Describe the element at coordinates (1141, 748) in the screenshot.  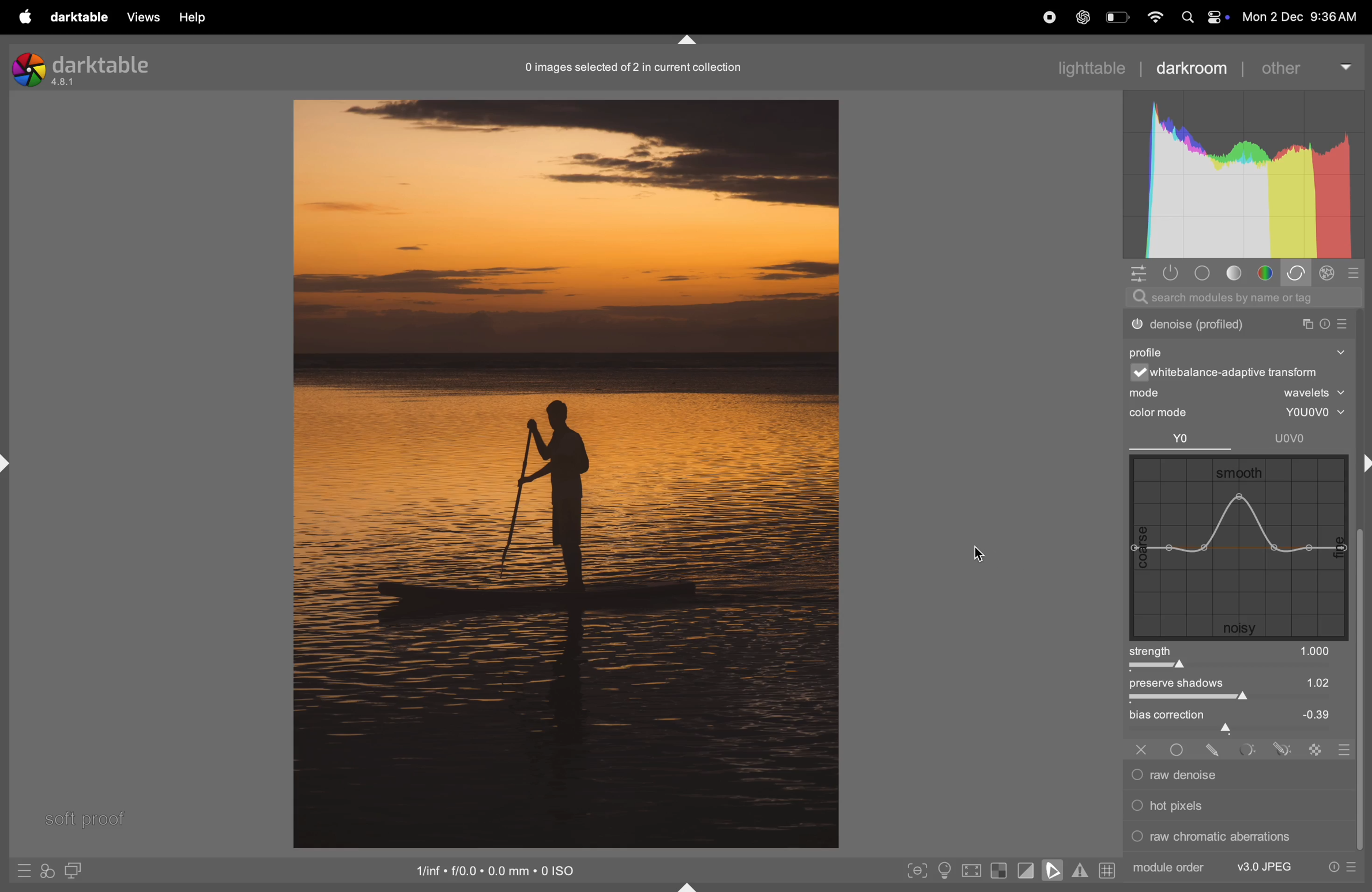
I see `x-sign` at that location.